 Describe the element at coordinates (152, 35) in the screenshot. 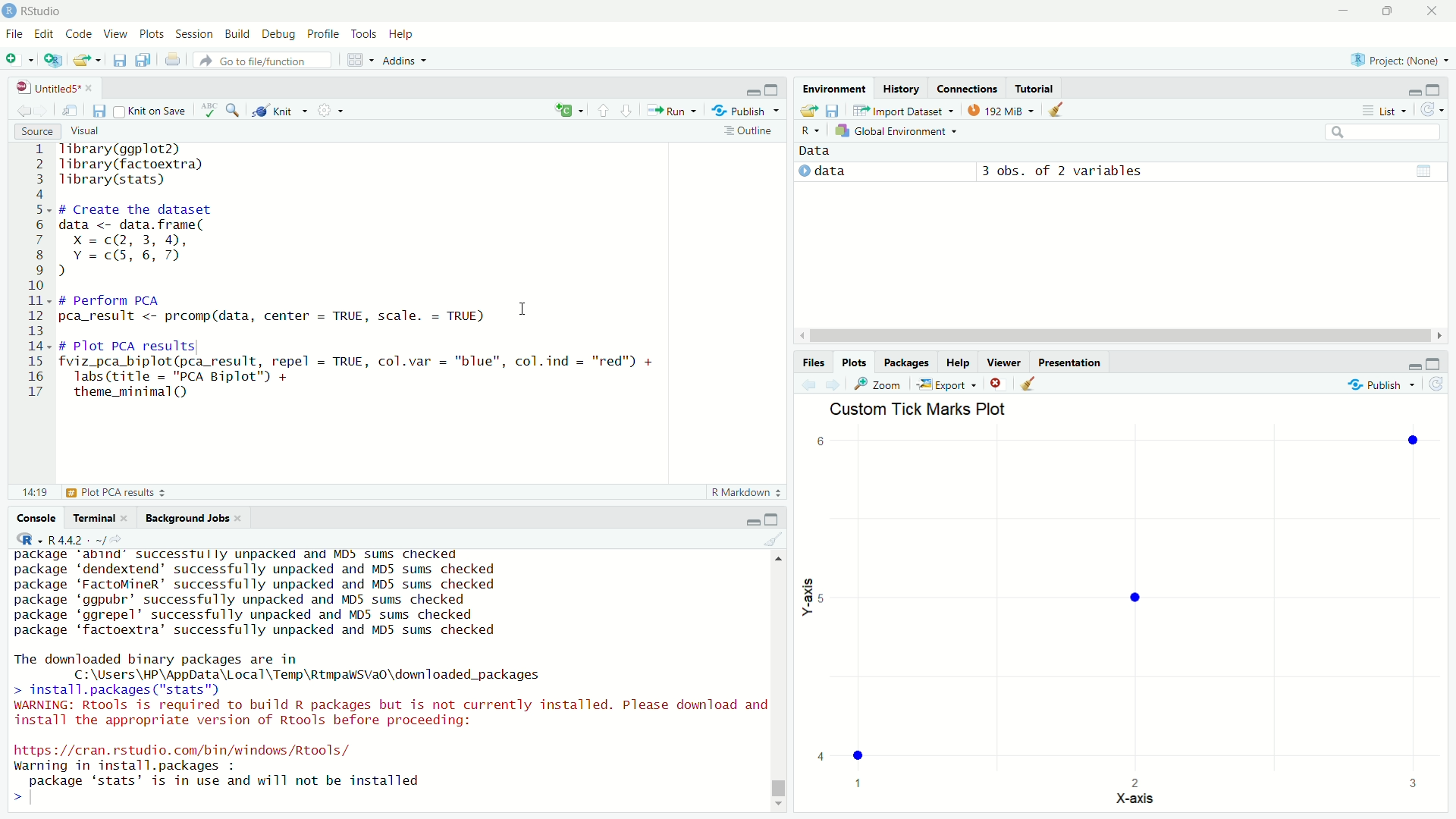

I see `plots` at that location.